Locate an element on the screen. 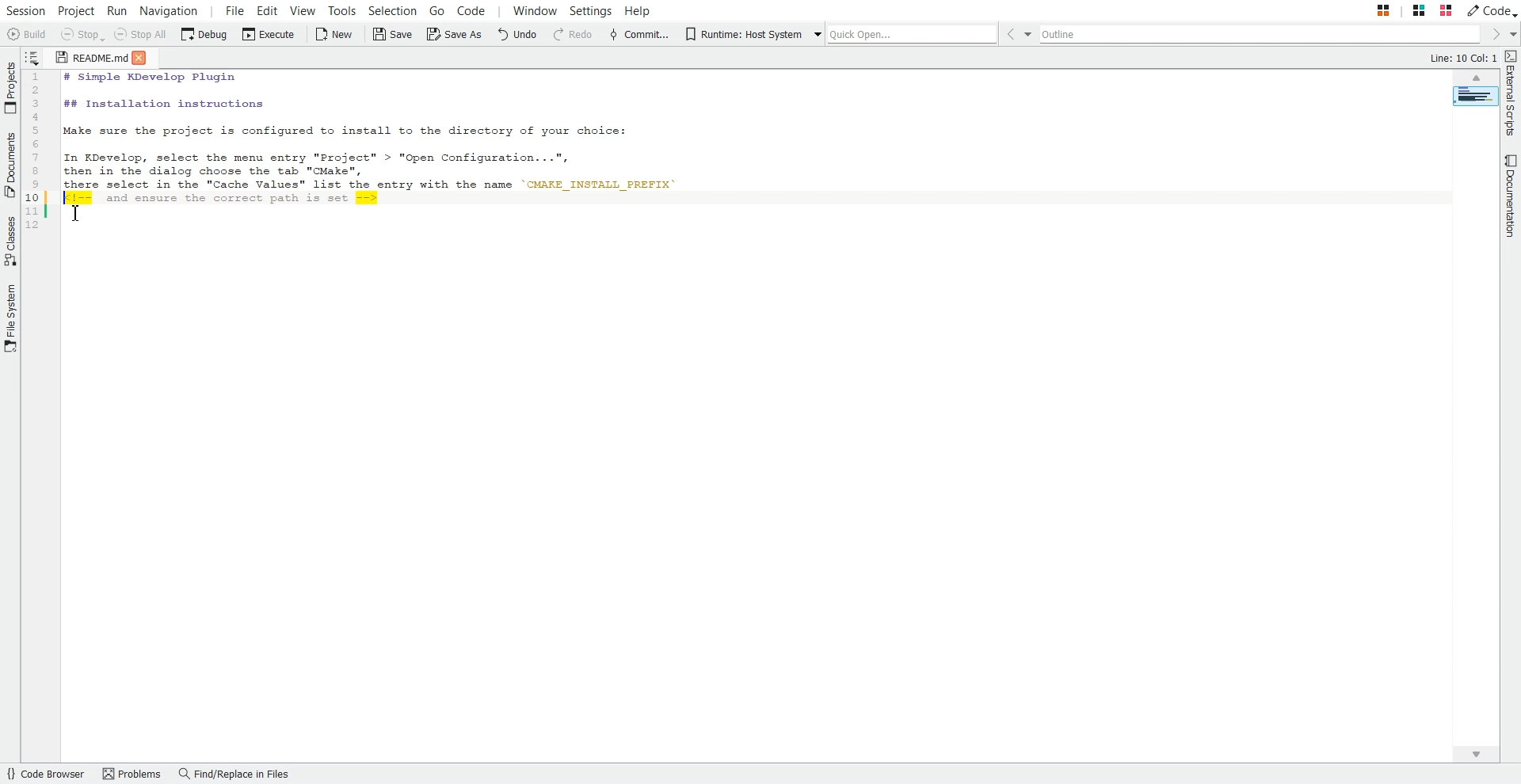 The image size is (1521, 784). Go is located at coordinates (436, 10).